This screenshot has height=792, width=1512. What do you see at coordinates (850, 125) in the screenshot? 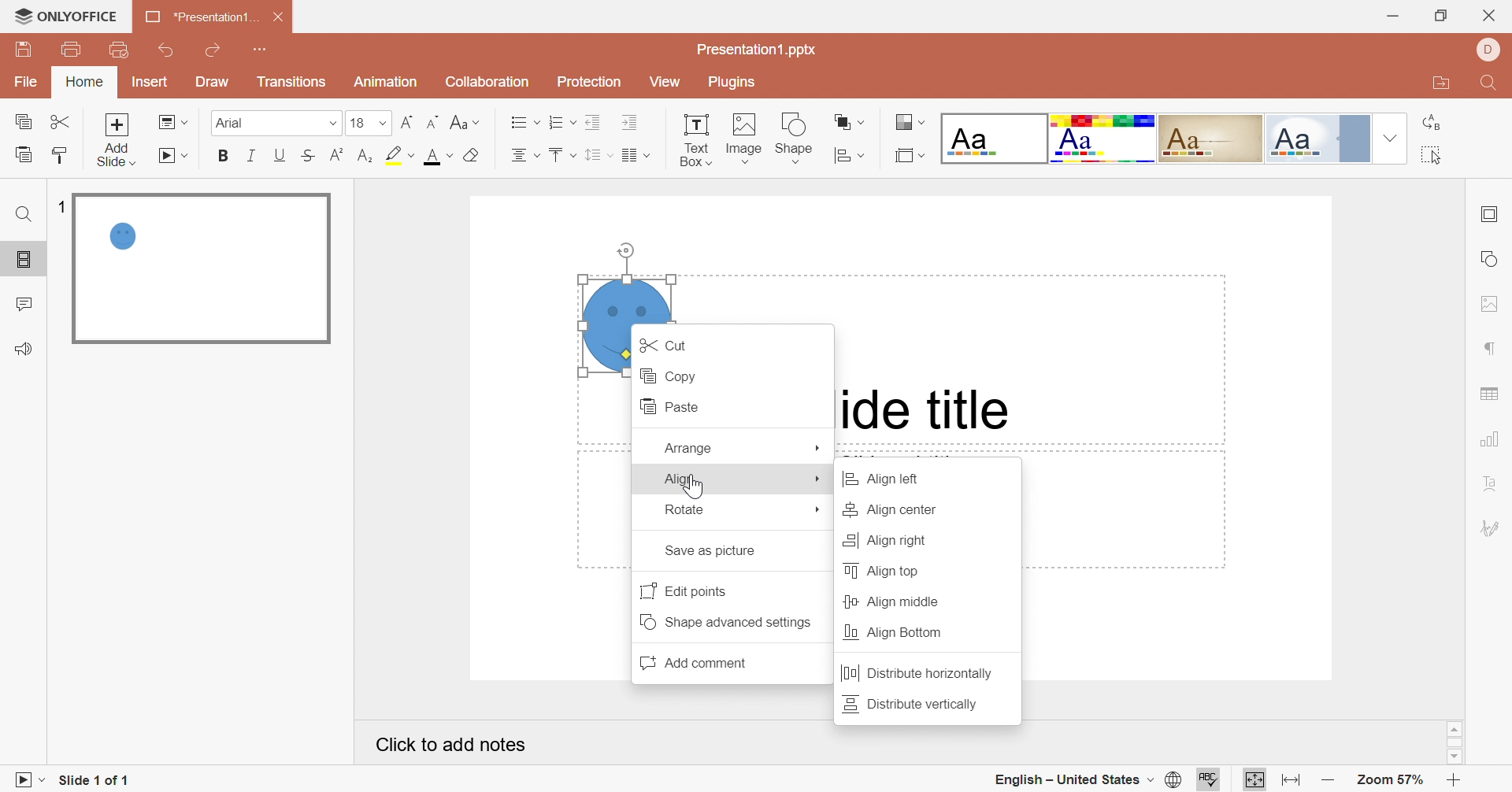
I see `Arrange shape` at bounding box center [850, 125].